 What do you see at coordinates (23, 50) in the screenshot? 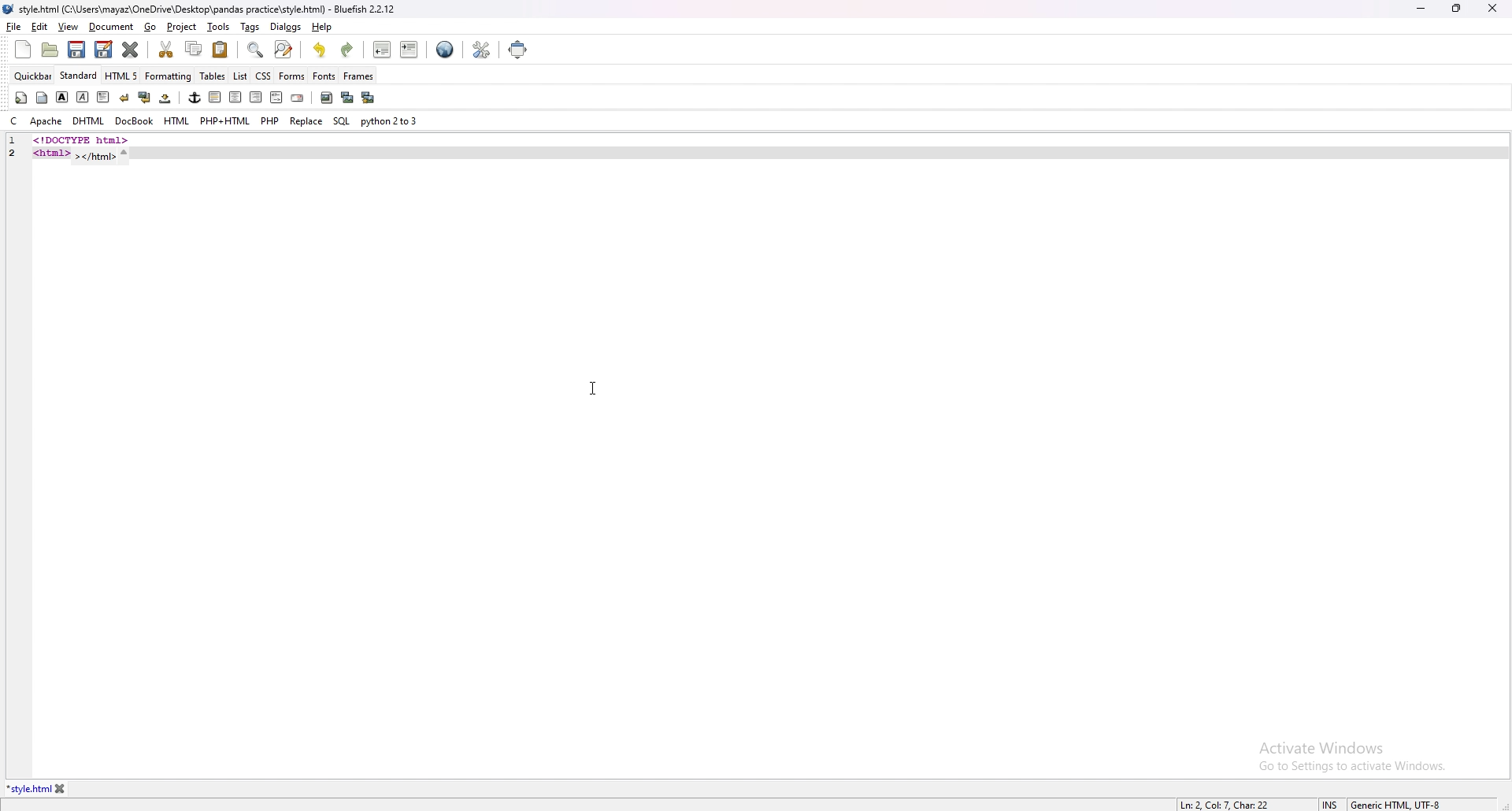
I see `new` at bounding box center [23, 50].